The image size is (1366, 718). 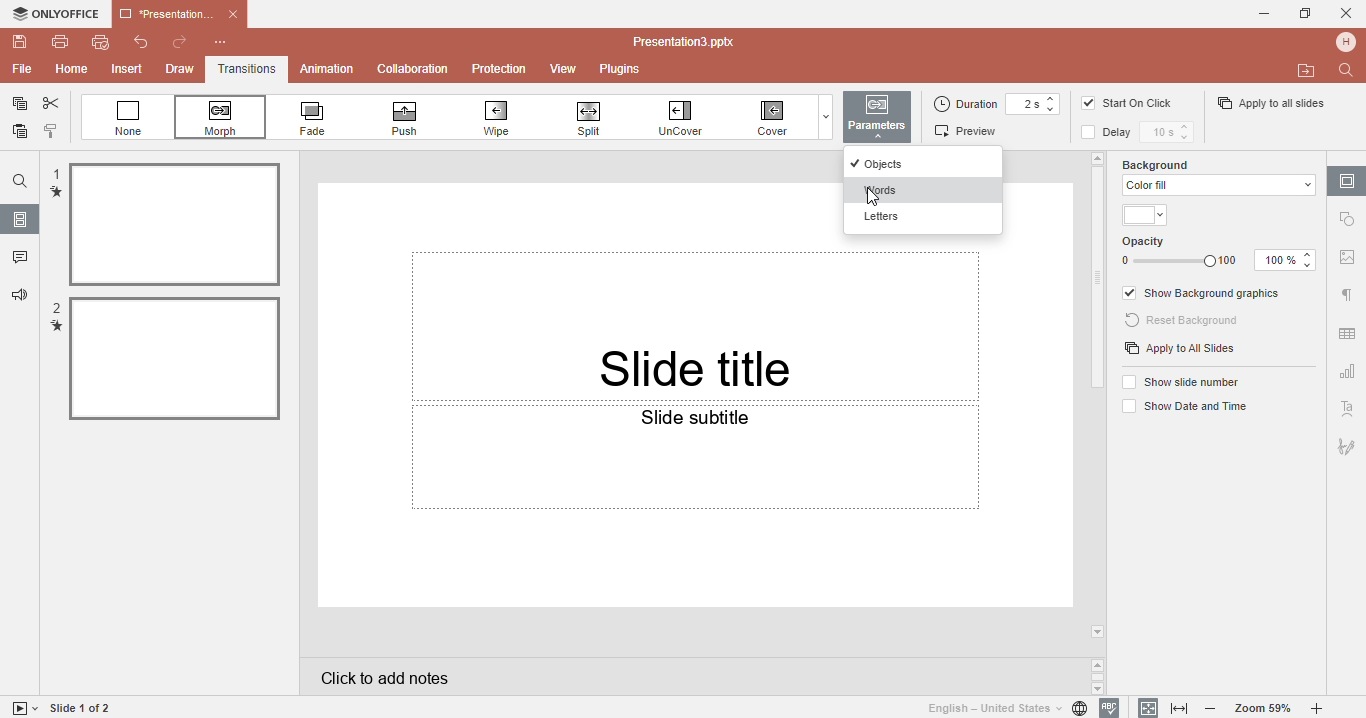 I want to click on Fade, so click(x=325, y=118).